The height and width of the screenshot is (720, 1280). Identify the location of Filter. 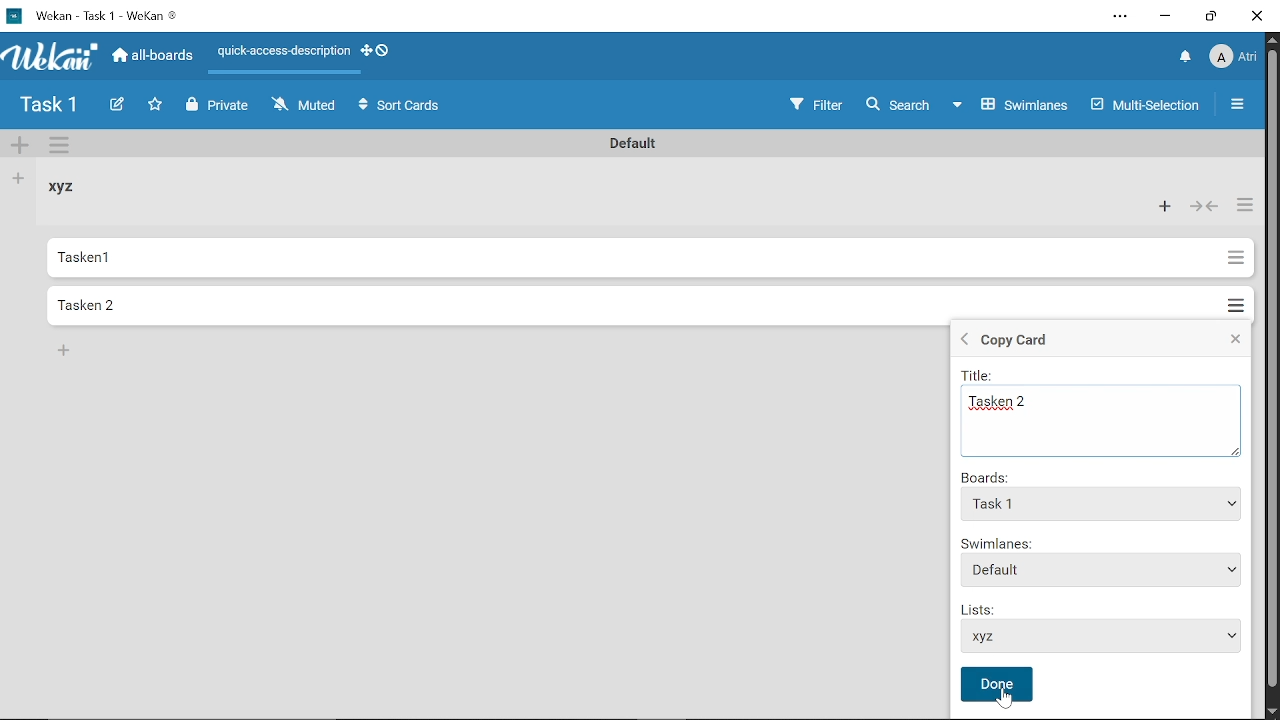
(815, 102).